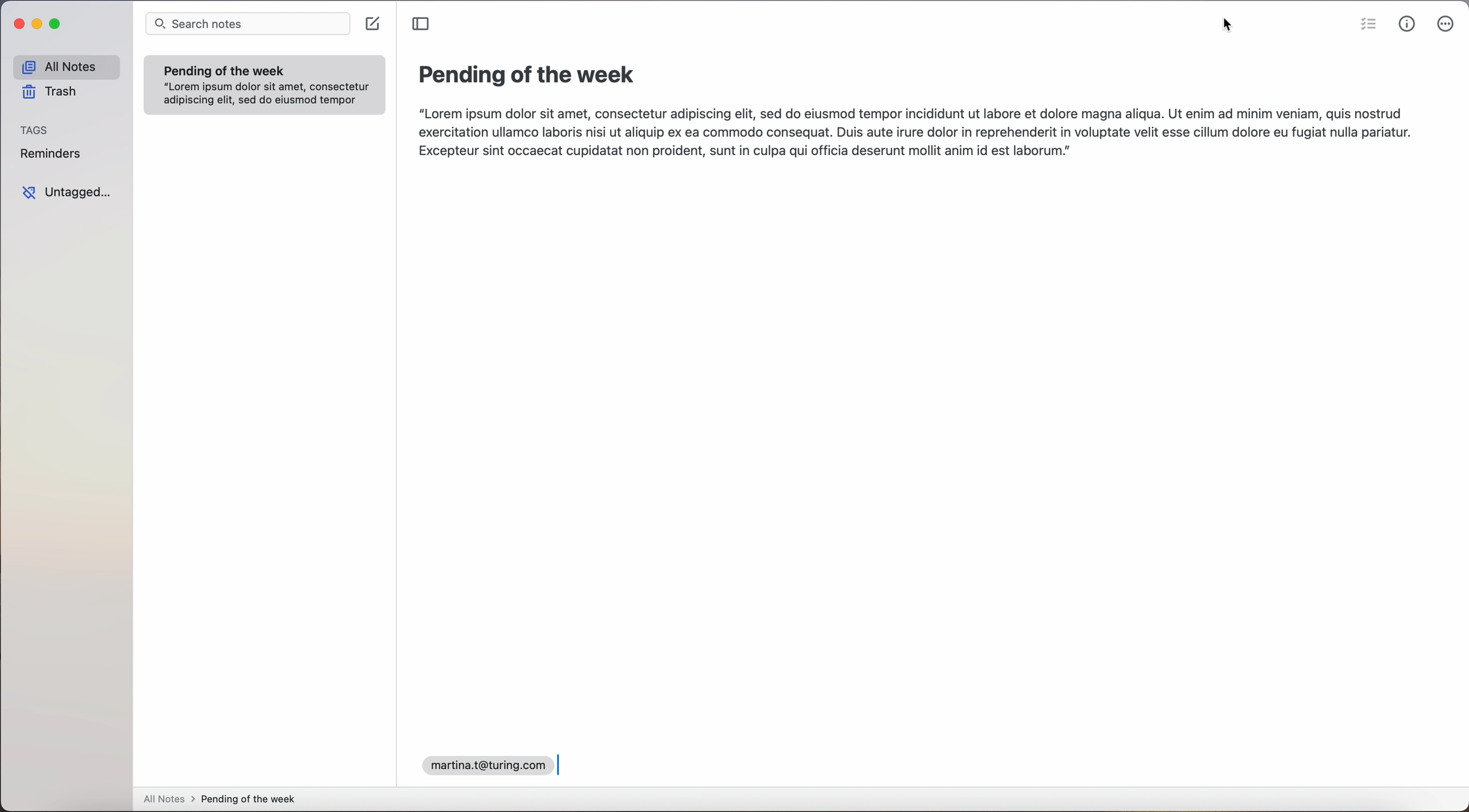 This screenshot has width=1469, height=812. What do you see at coordinates (530, 76) in the screenshot?
I see `title: pending of the week` at bounding box center [530, 76].